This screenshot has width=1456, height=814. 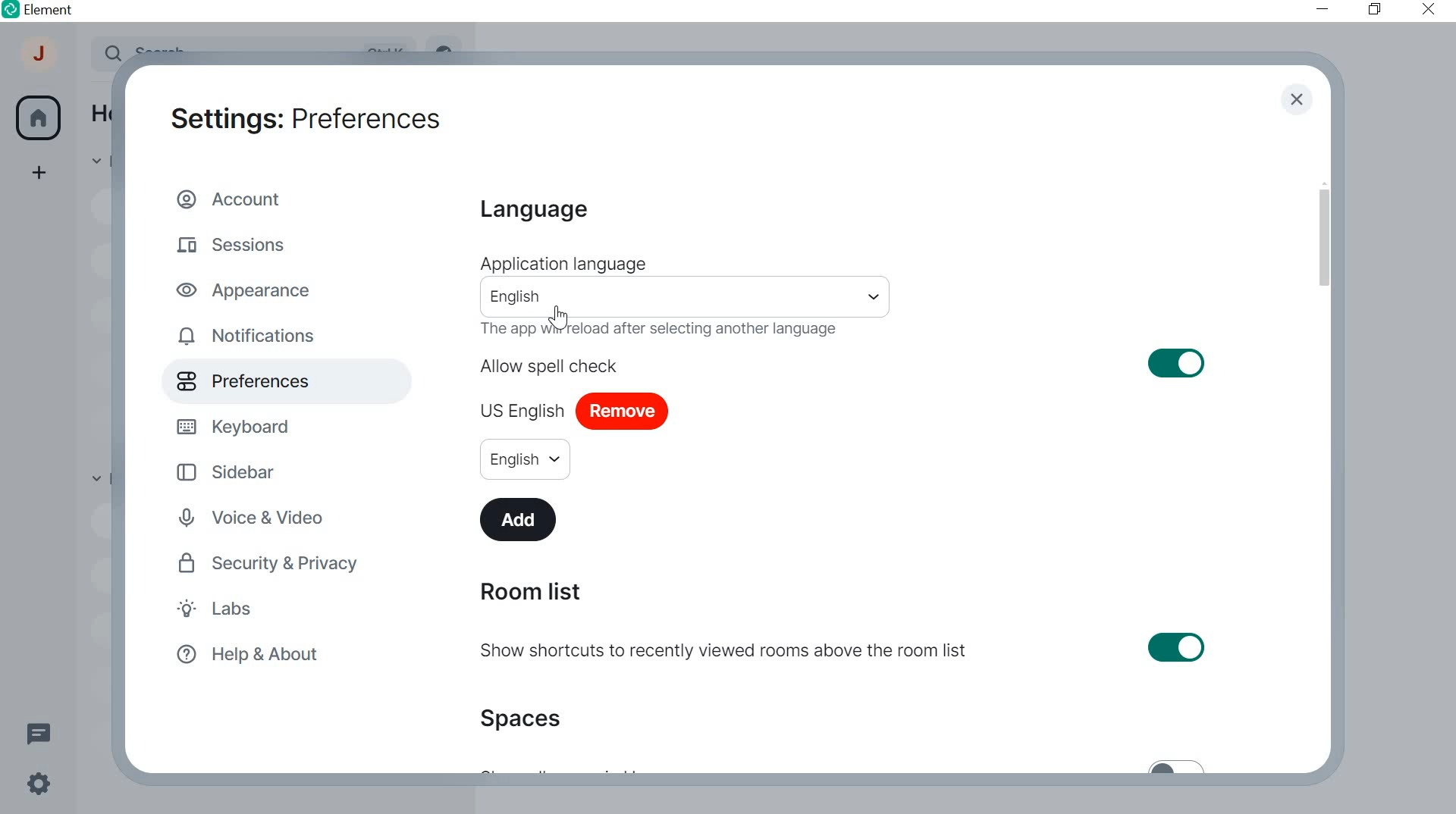 What do you see at coordinates (1324, 9) in the screenshot?
I see `MINIMIZE` at bounding box center [1324, 9].